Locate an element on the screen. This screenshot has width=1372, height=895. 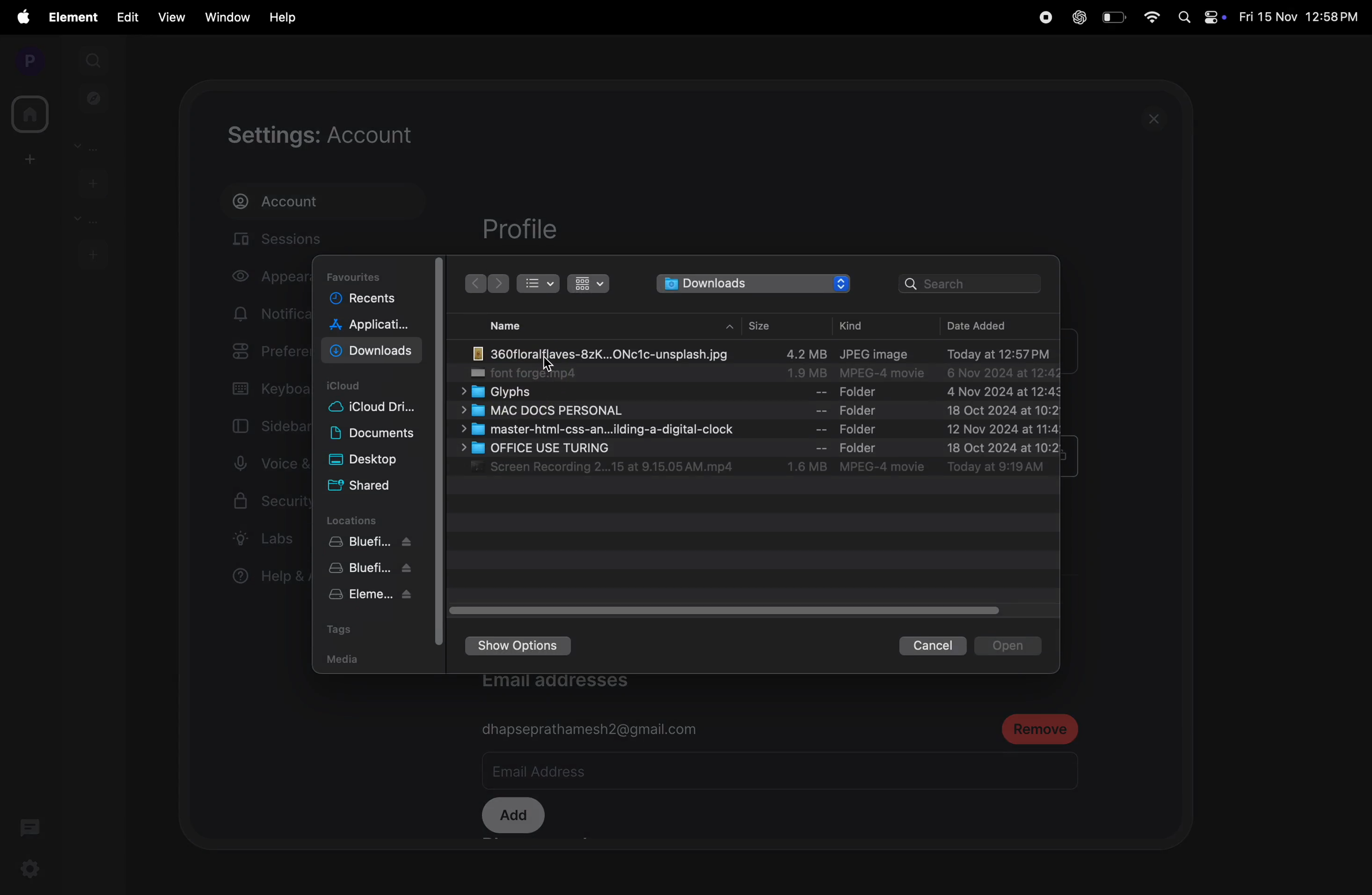
settings is located at coordinates (28, 871).